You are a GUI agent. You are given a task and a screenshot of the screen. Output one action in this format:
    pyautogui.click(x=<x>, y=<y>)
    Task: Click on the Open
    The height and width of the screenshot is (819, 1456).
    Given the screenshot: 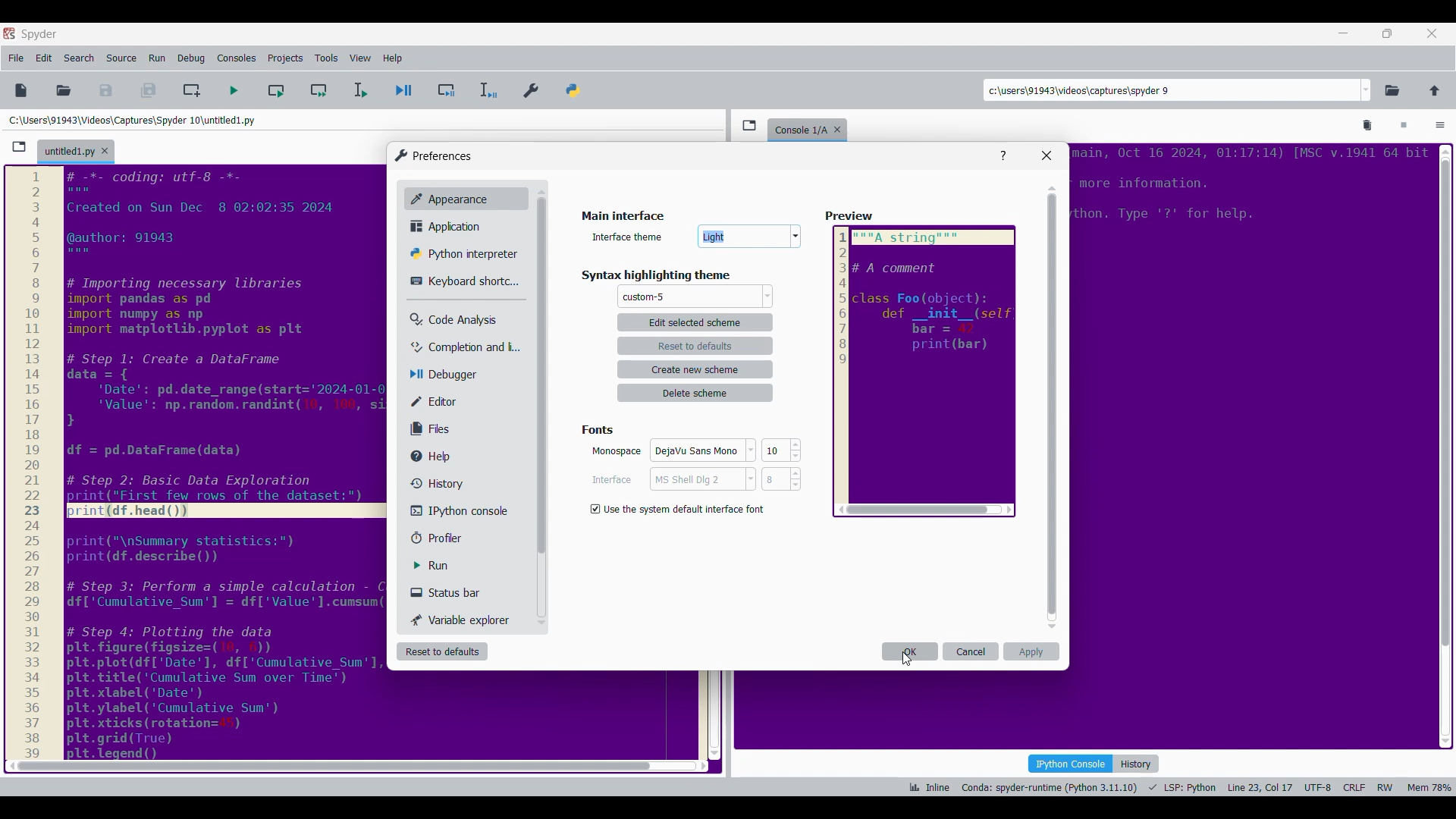 What is the action you would take?
    pyautogui.click(x=64, y=90)
    